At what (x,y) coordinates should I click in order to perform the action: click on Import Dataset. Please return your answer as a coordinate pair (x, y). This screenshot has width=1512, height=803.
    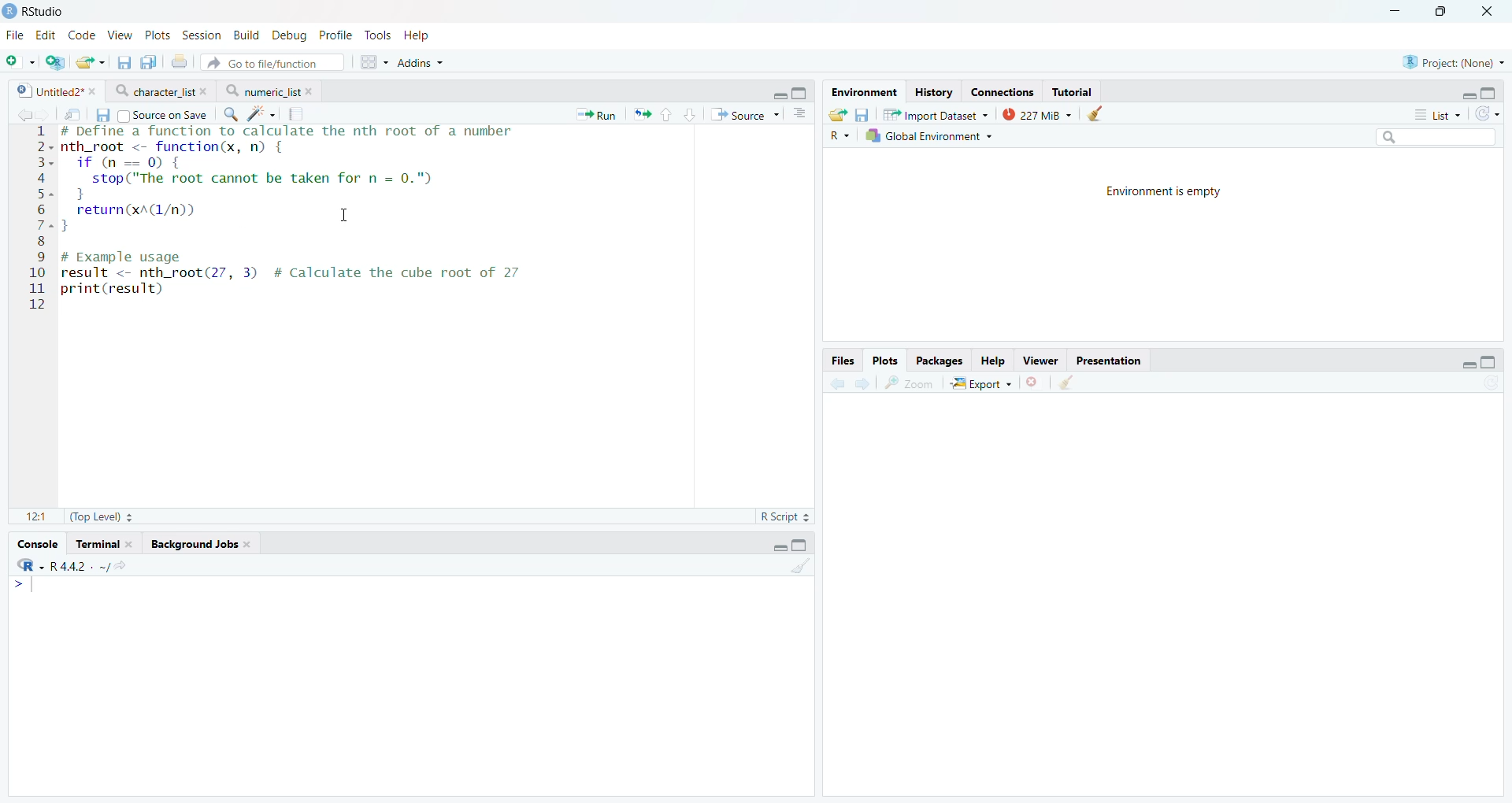
    Looking at the image, I should click on (936, 114).